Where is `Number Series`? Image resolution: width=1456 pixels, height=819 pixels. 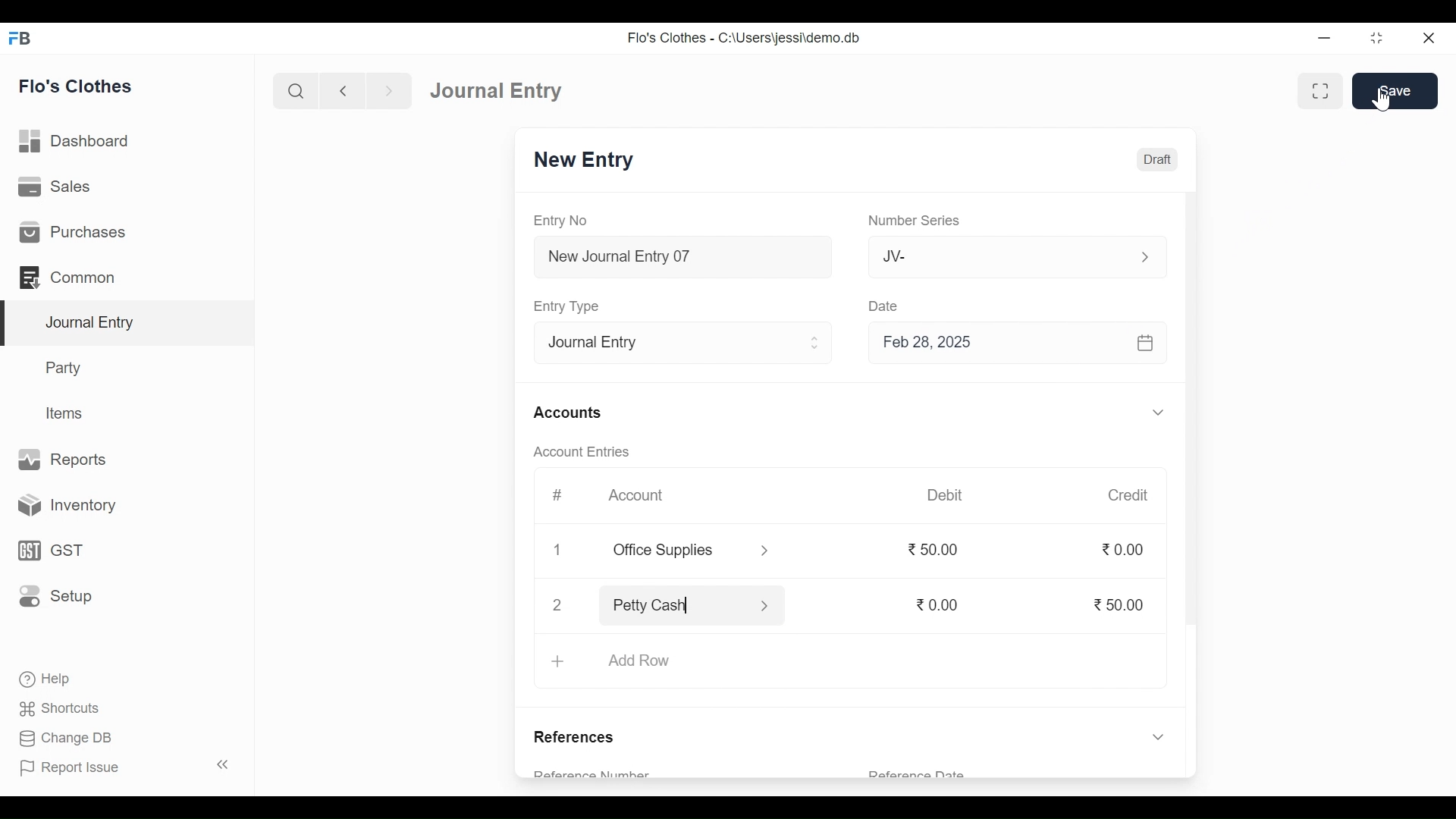
Number Series is located at coordinates (915, 221).